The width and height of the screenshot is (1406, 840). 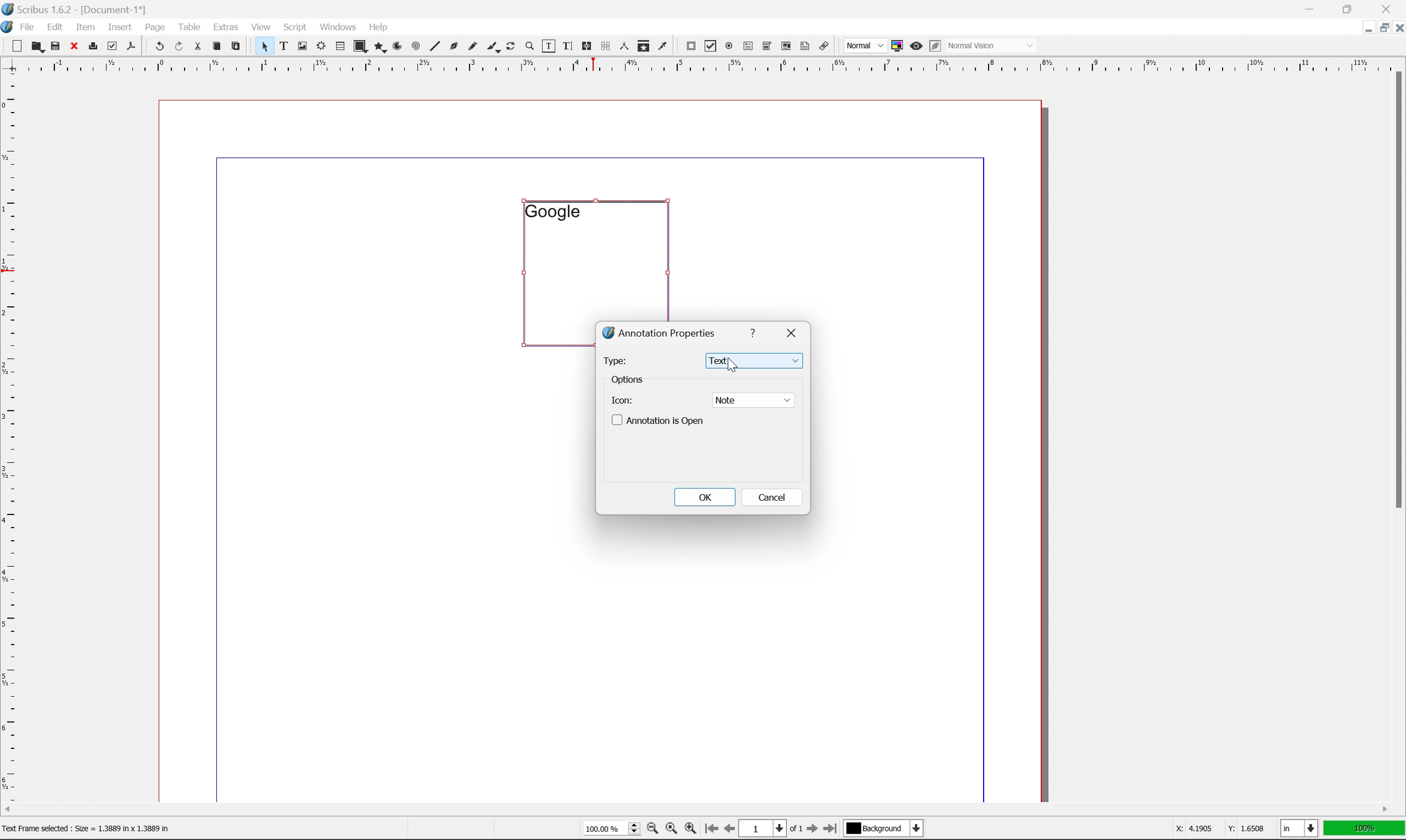 What do you see at coordinates (755, 331) in the screenshot?
I see `help` at bounding box center [755, 331].